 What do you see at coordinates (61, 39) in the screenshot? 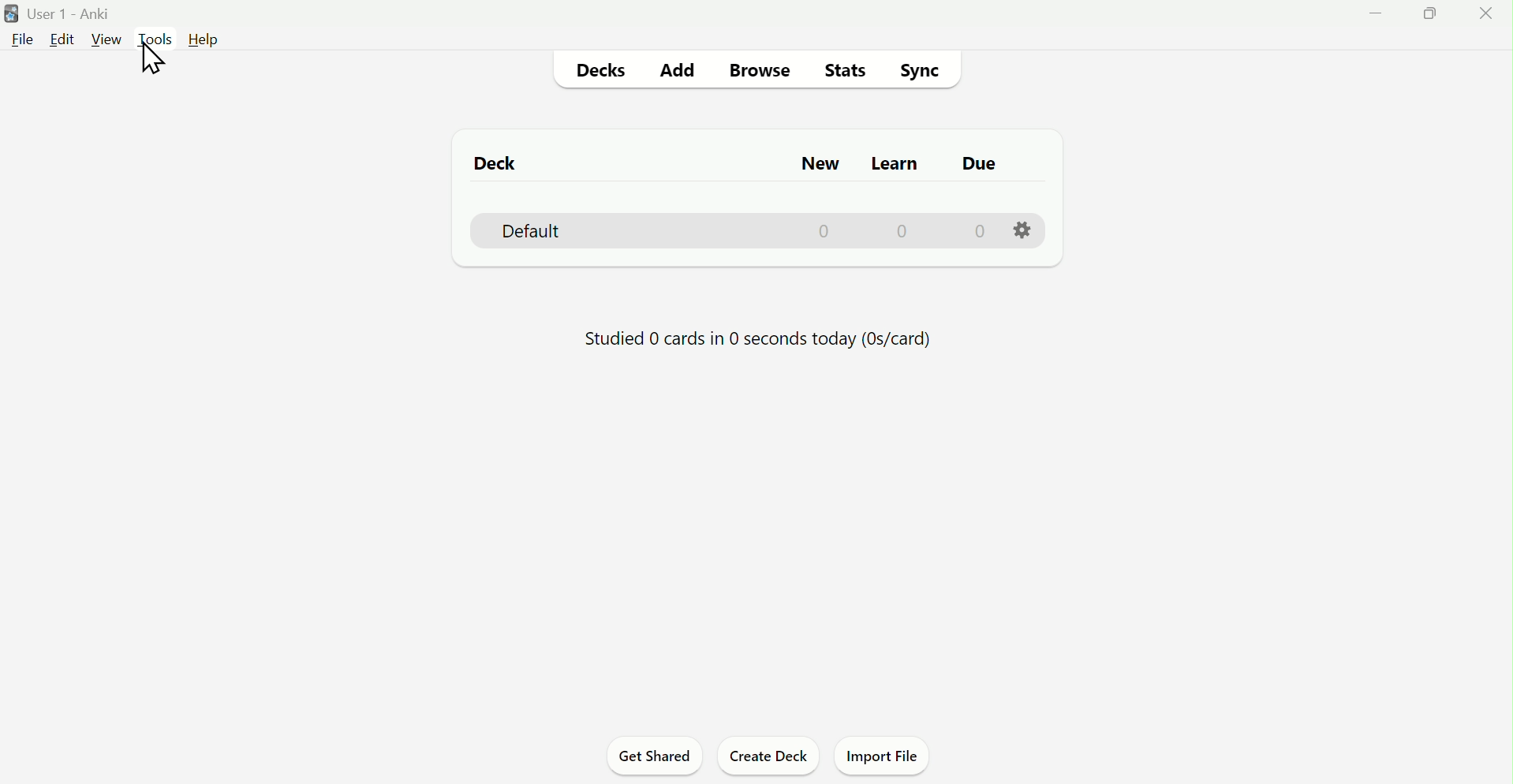
I see `Edit` at bounding box center [61, 39].